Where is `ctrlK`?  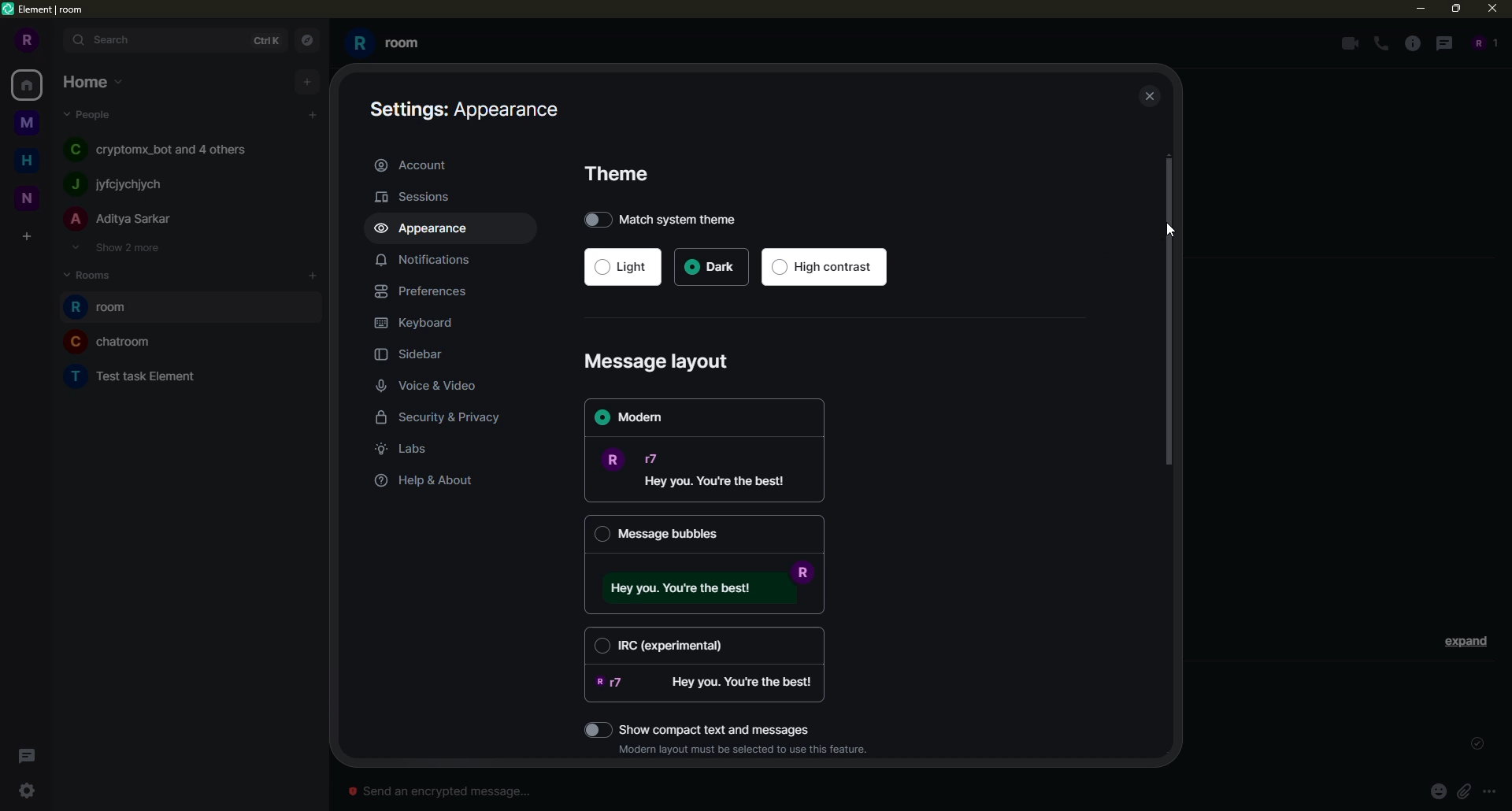 ctrlK is located at coordinates (263, 39).